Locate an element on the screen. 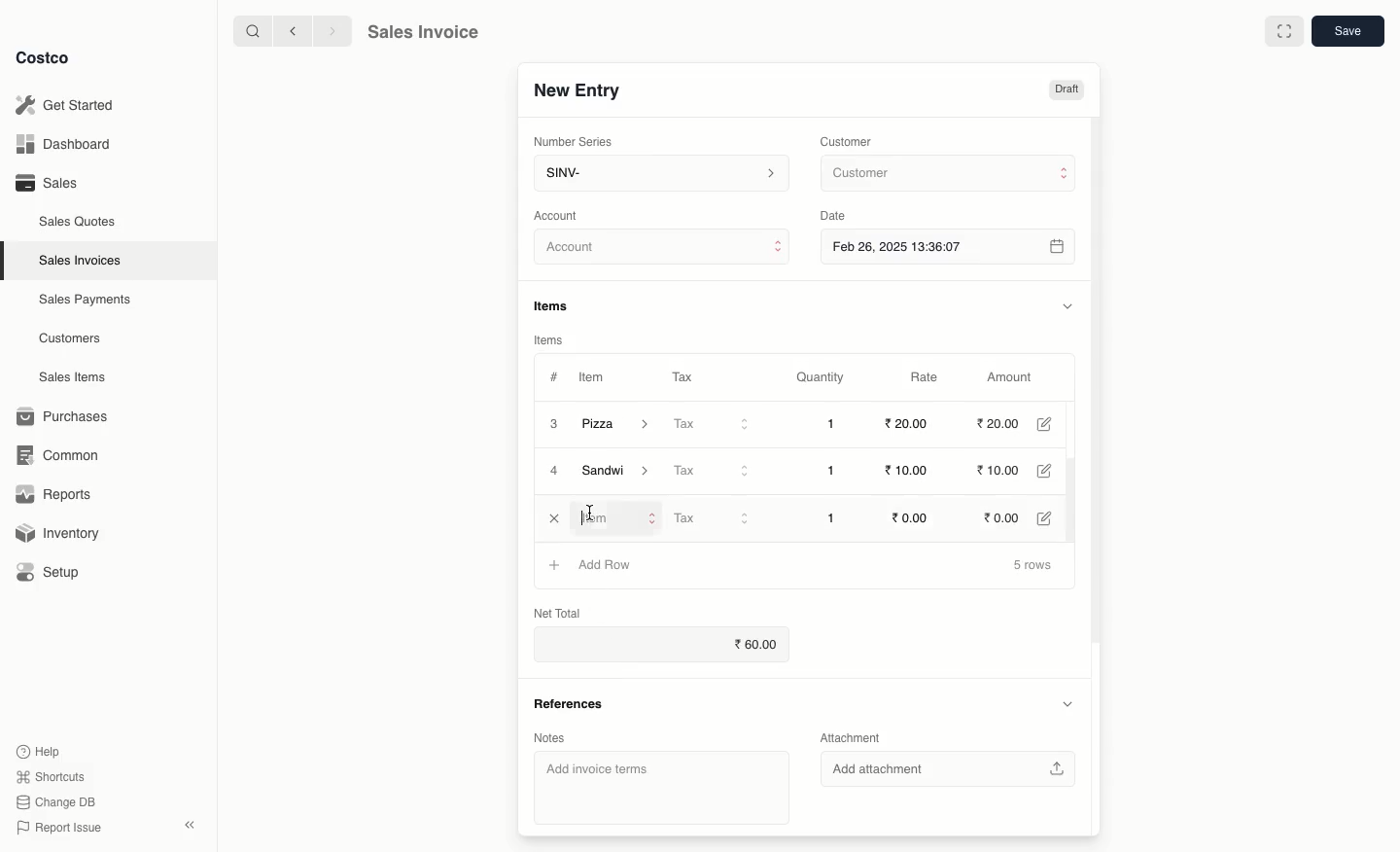 Image resolution: width=1400 pixels, height=852 pixels. SINV- is located at coordinates (660, 175).